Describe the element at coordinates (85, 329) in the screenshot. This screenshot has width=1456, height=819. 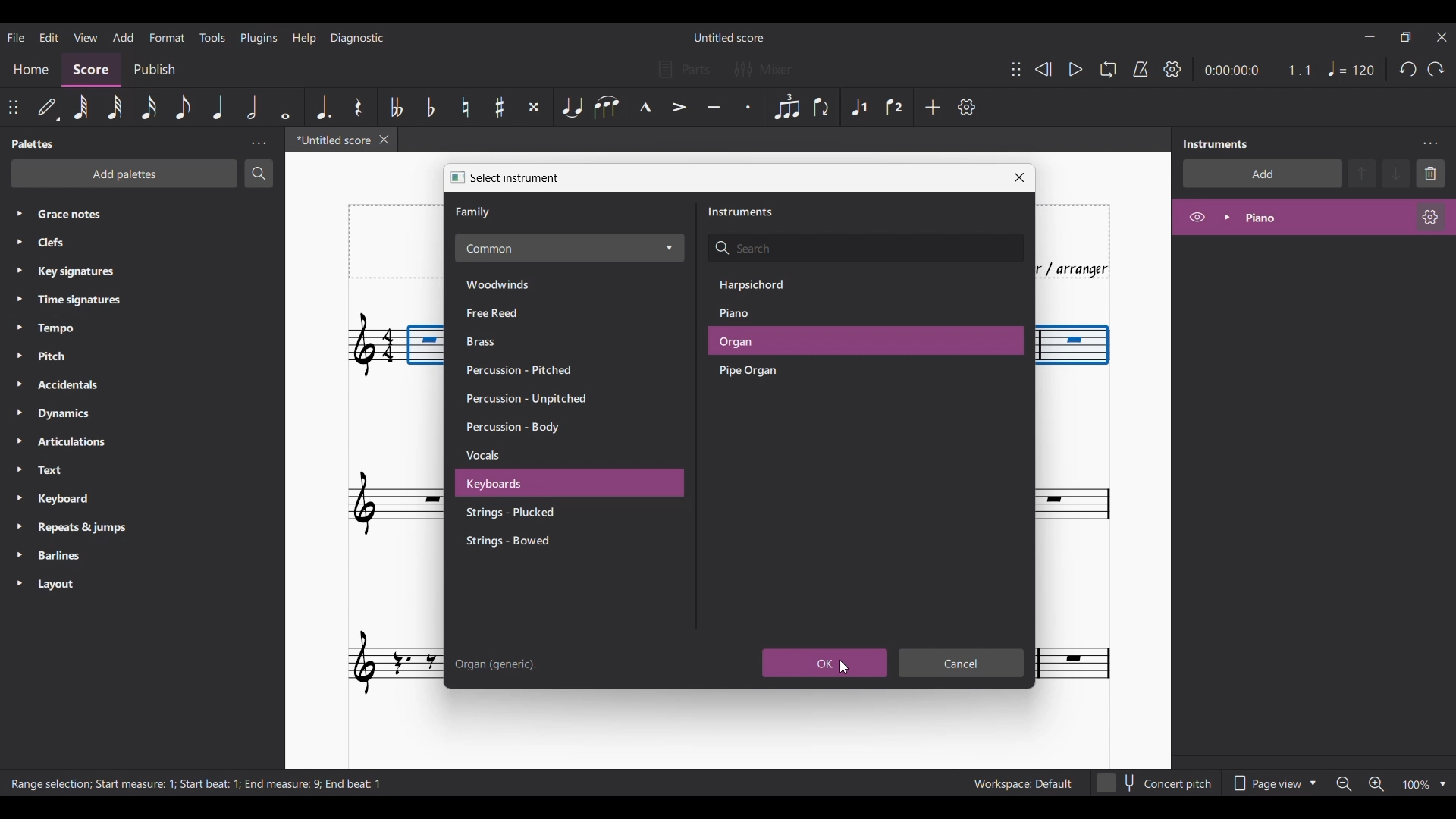
I see `Tempo` at that location.